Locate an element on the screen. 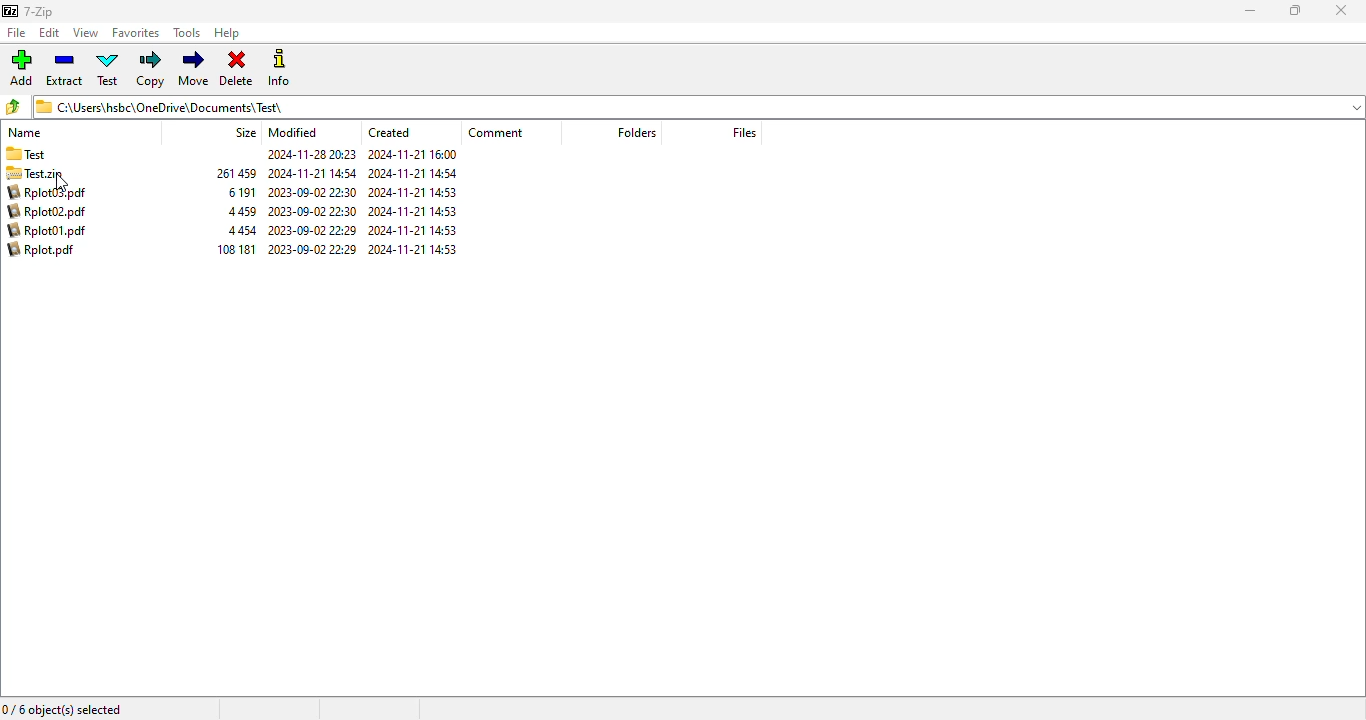  4 459 is located at coordinates (241, 211).